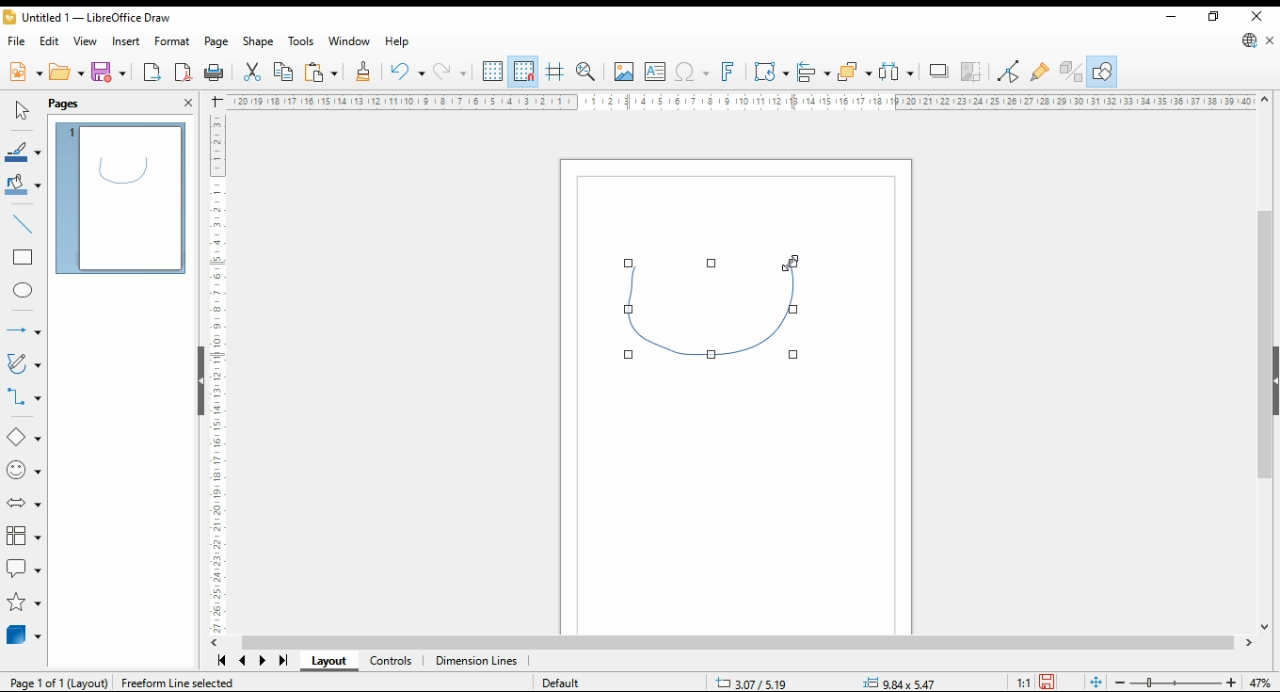 The image size is (1280, 692). What do you see at coordinates (554, 72) in the screenshot?
I see `helplines while moving` at bounding box center [554, 72].